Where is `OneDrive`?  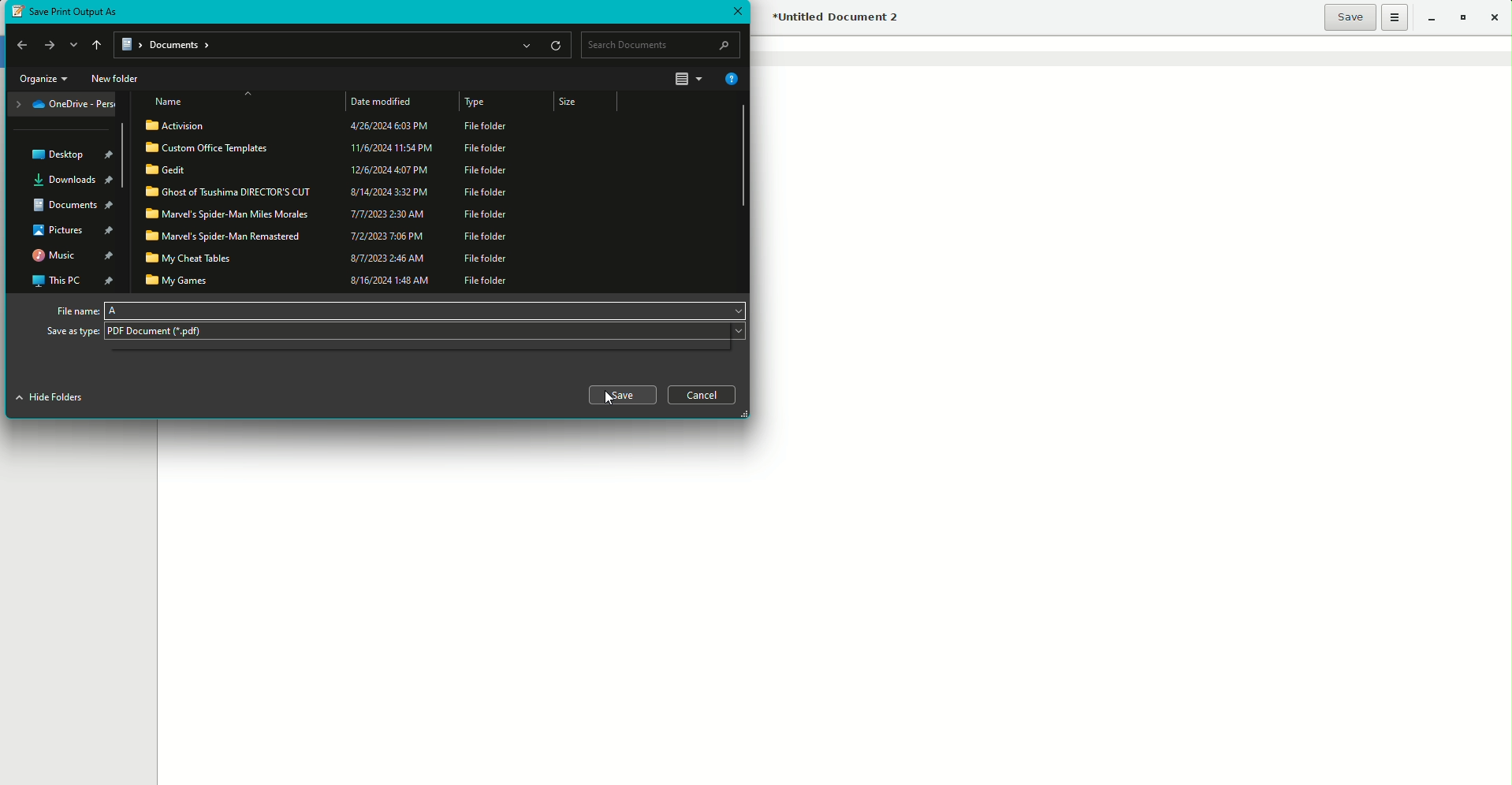
OneDrive is located at coordinates (65, 105).